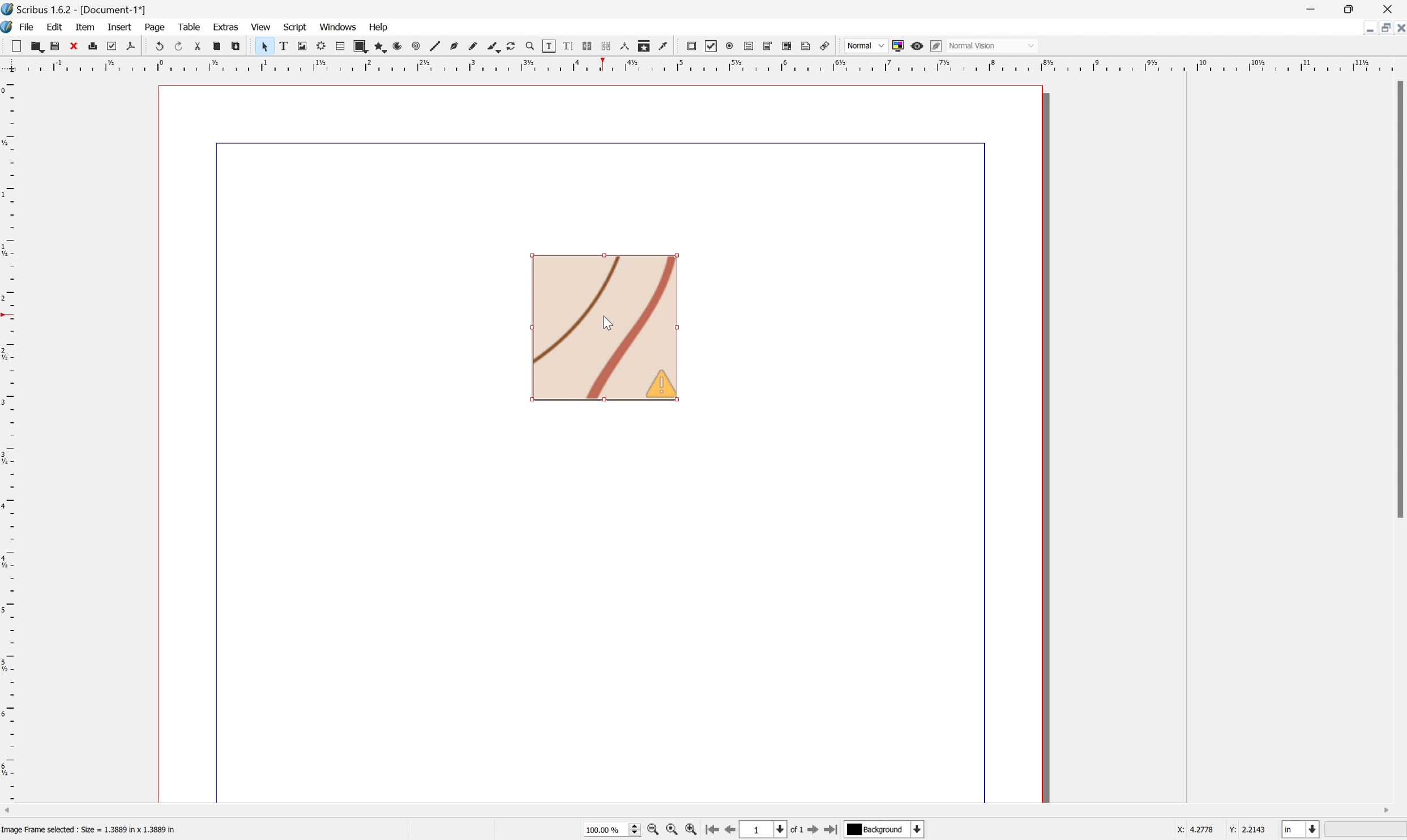  I want to click on Help, so click(378, 27).